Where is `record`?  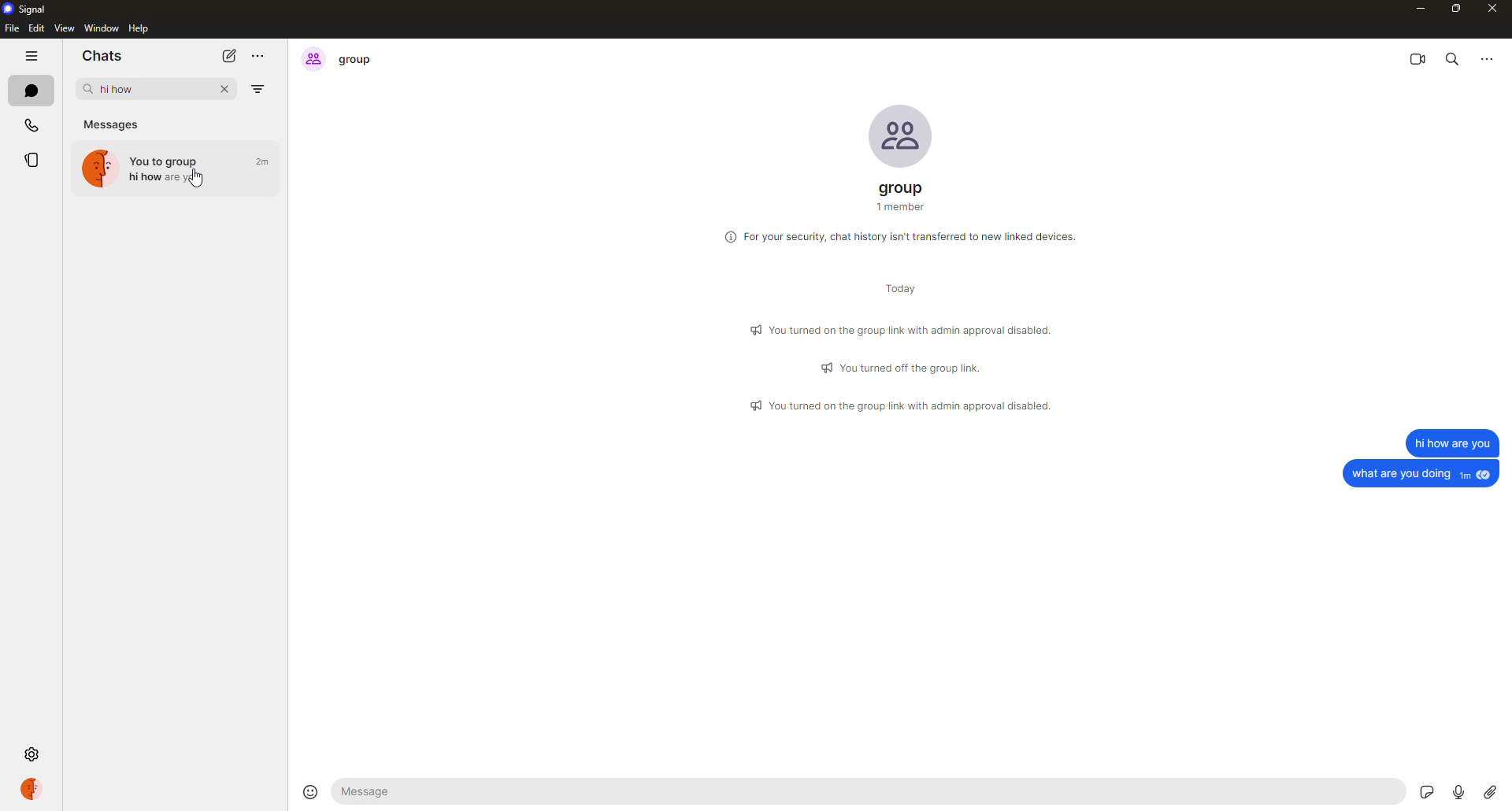 record is located at coordinates (1458, 790).